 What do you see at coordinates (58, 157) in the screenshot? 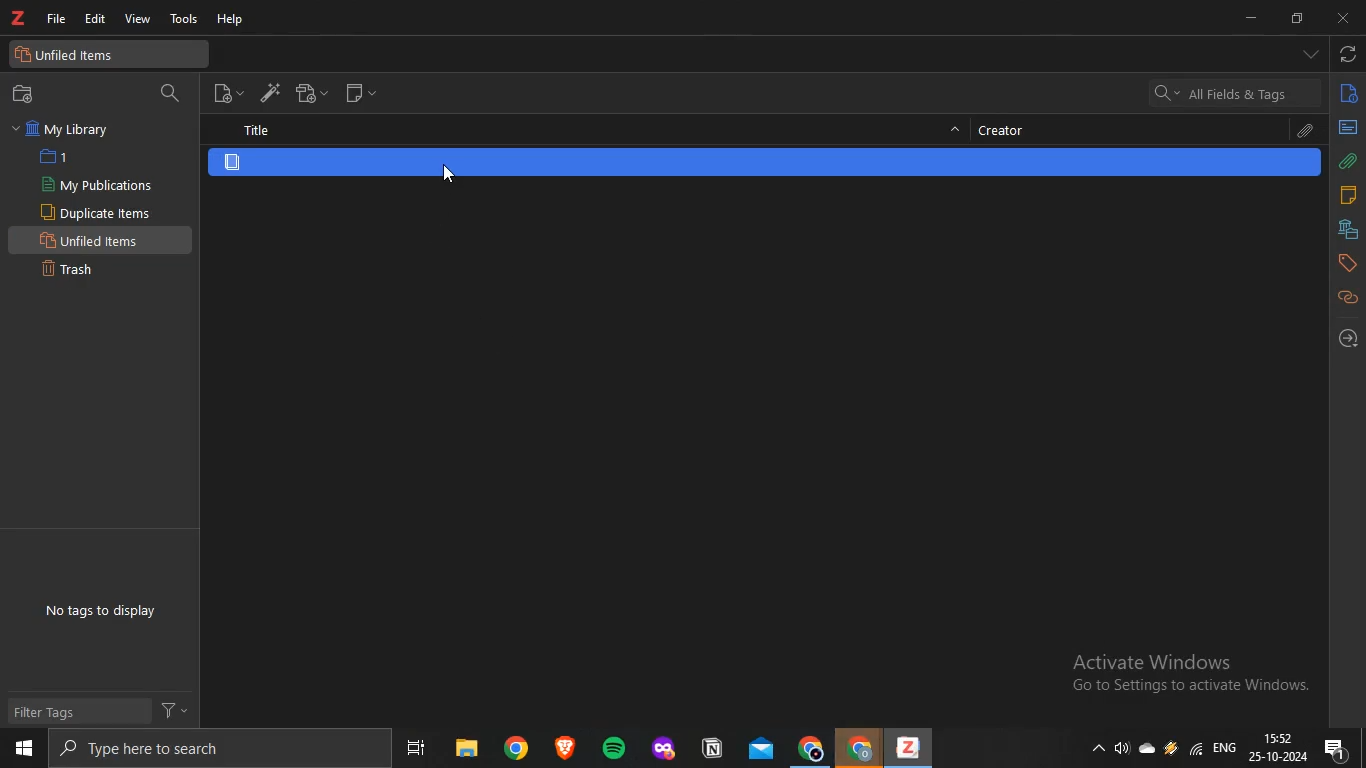
I see `1` at bounding box center [58, 157].